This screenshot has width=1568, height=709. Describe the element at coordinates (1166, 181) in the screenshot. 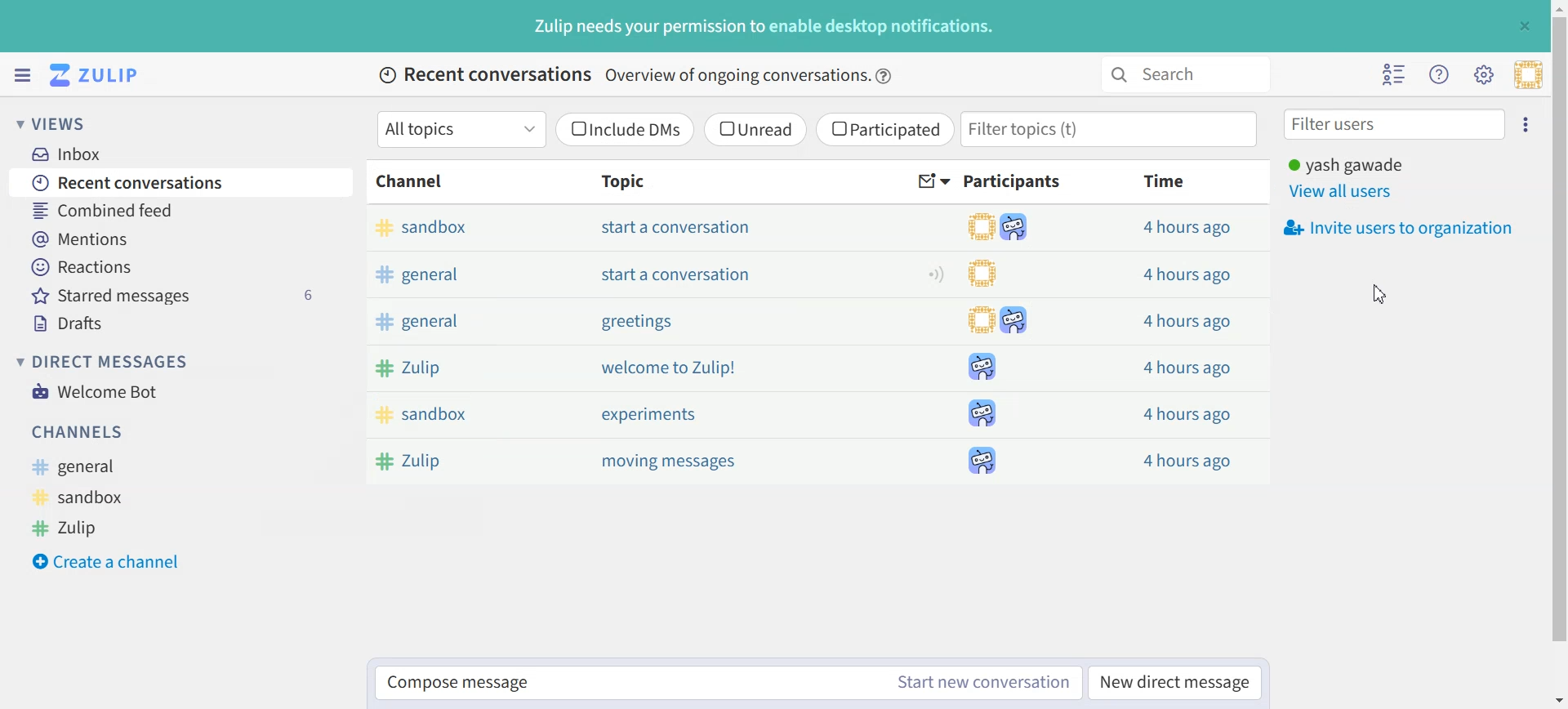

I see `Time` at that location.